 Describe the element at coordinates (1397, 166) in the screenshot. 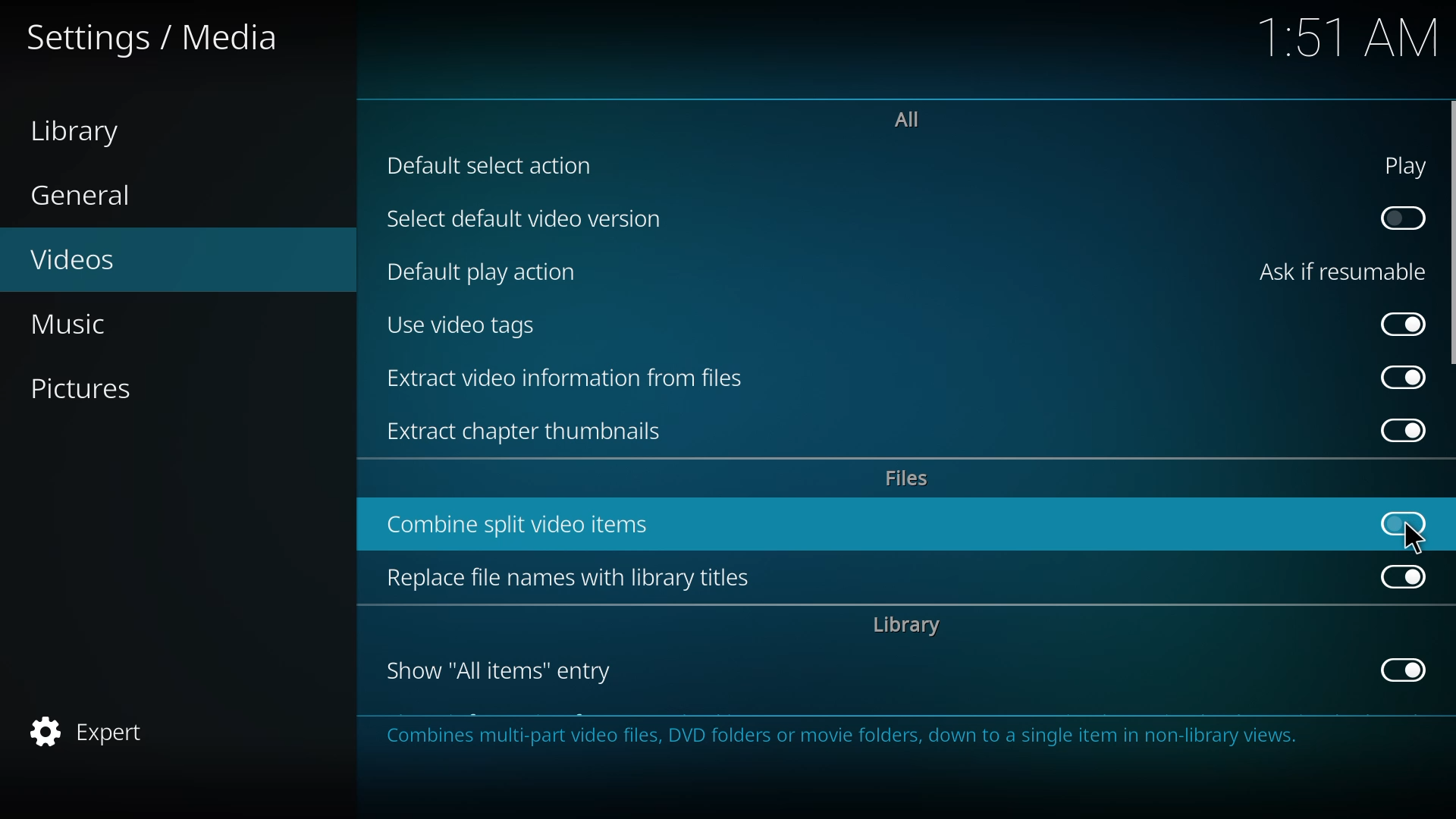

I see `play` at that location.